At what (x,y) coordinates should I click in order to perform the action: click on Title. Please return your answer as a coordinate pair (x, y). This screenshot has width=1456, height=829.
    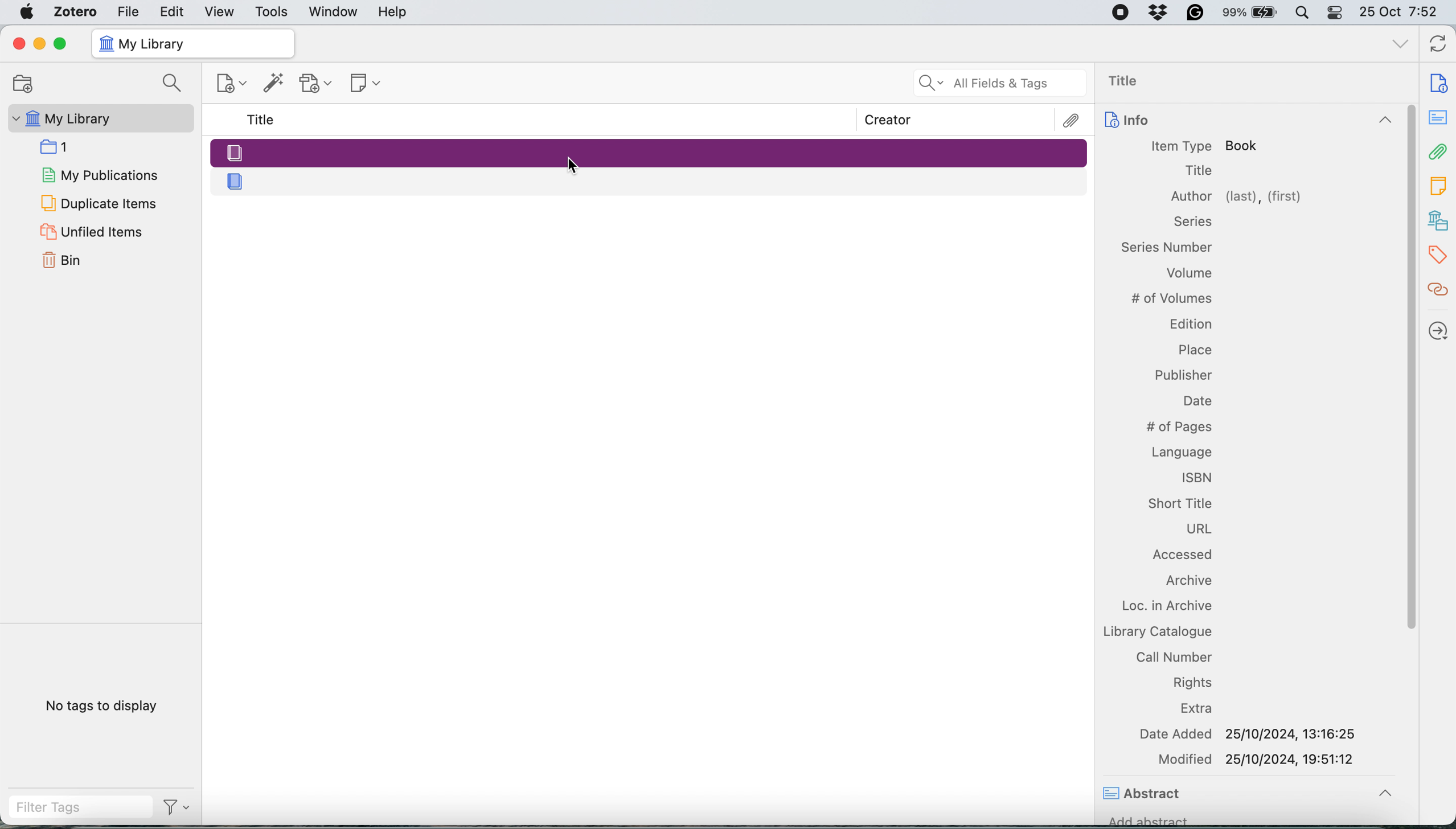
    Looking at the image, I should click on (1129, 82).